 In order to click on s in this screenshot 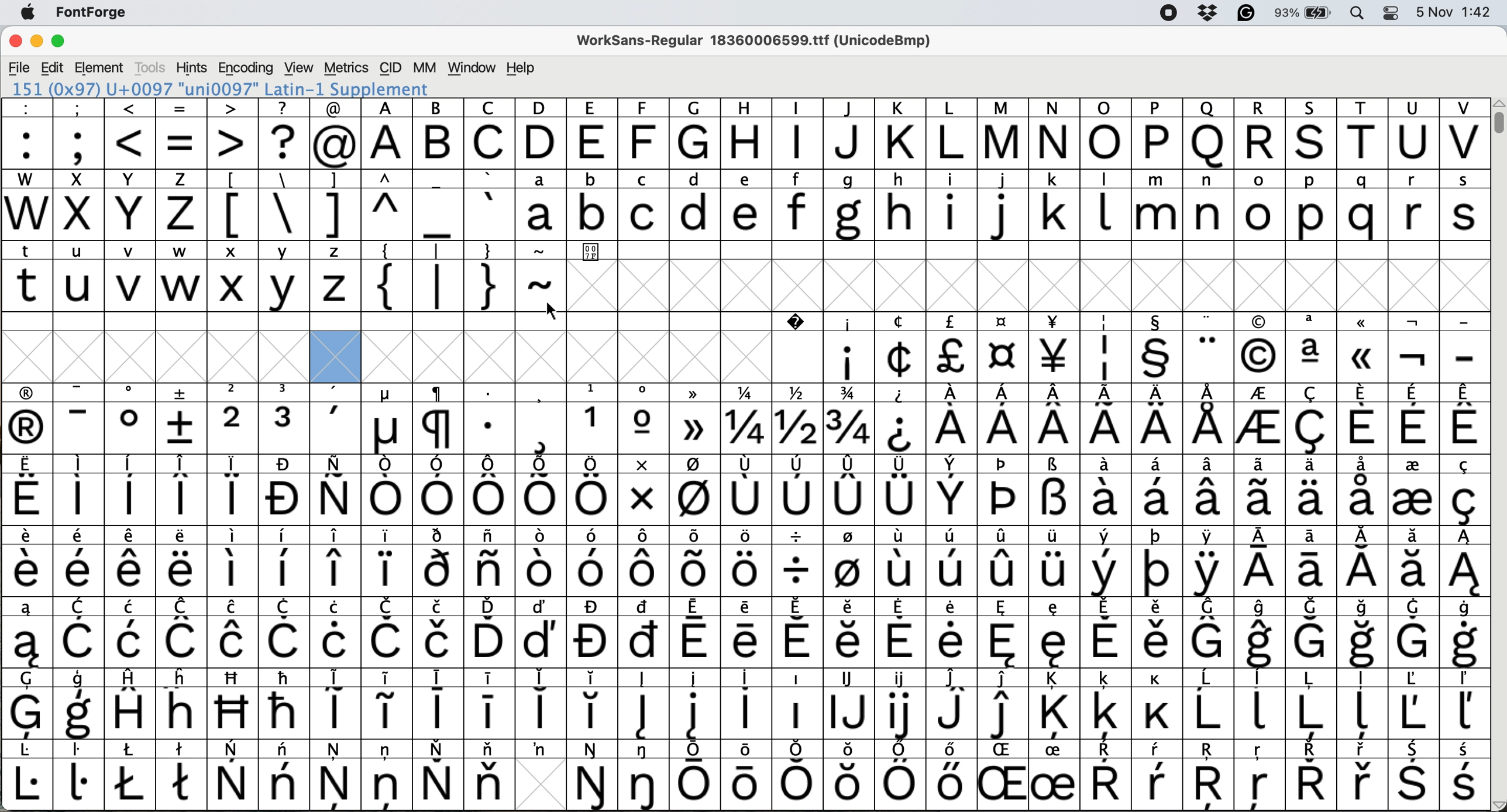, I will do `click(1465, 205)`.